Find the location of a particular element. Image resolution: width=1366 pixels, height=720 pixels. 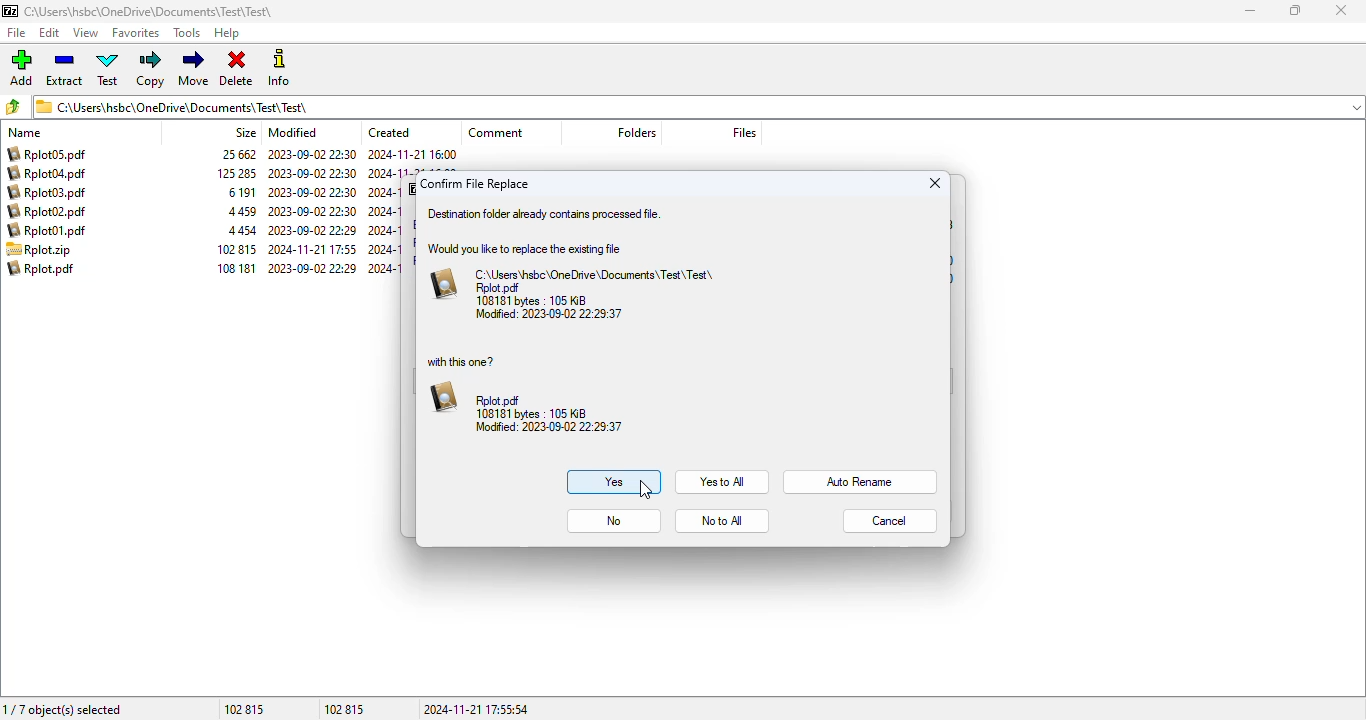

Would you like to replace the existing file is located at coordinates (530, 249).